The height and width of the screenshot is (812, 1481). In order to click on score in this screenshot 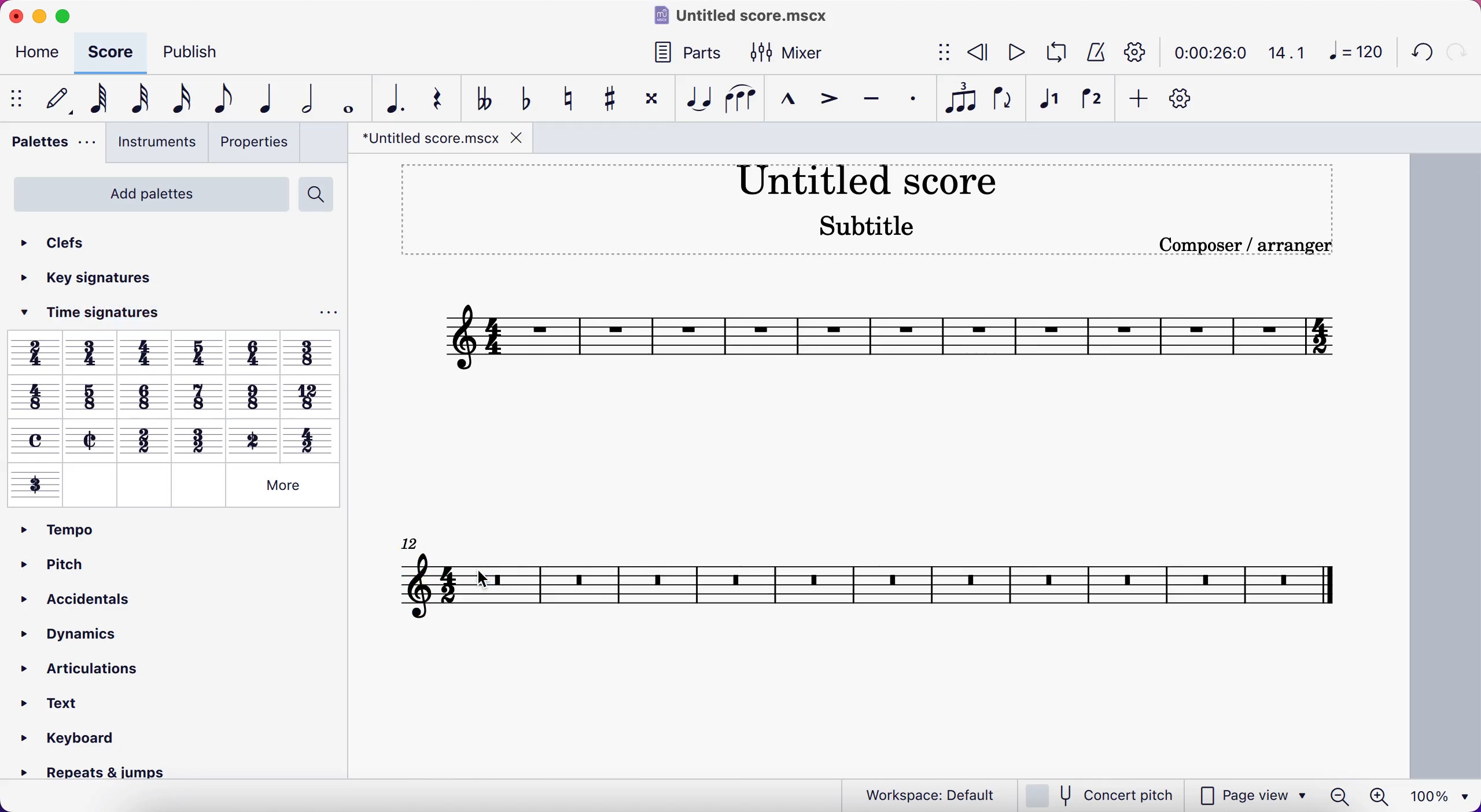, I will do `click(878, 337)`.